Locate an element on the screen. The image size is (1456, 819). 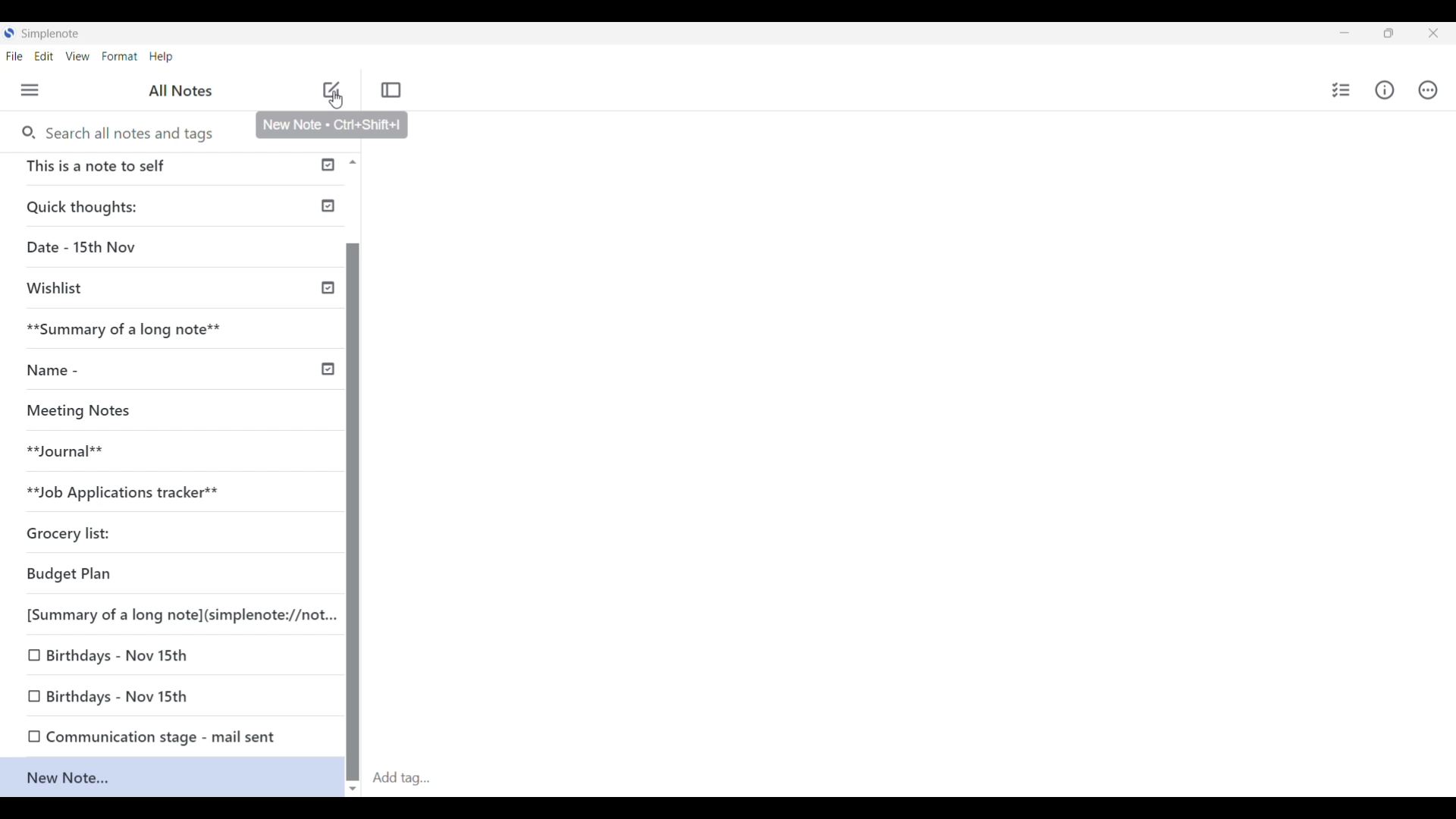
Software name is located at coordinates (52, 34).